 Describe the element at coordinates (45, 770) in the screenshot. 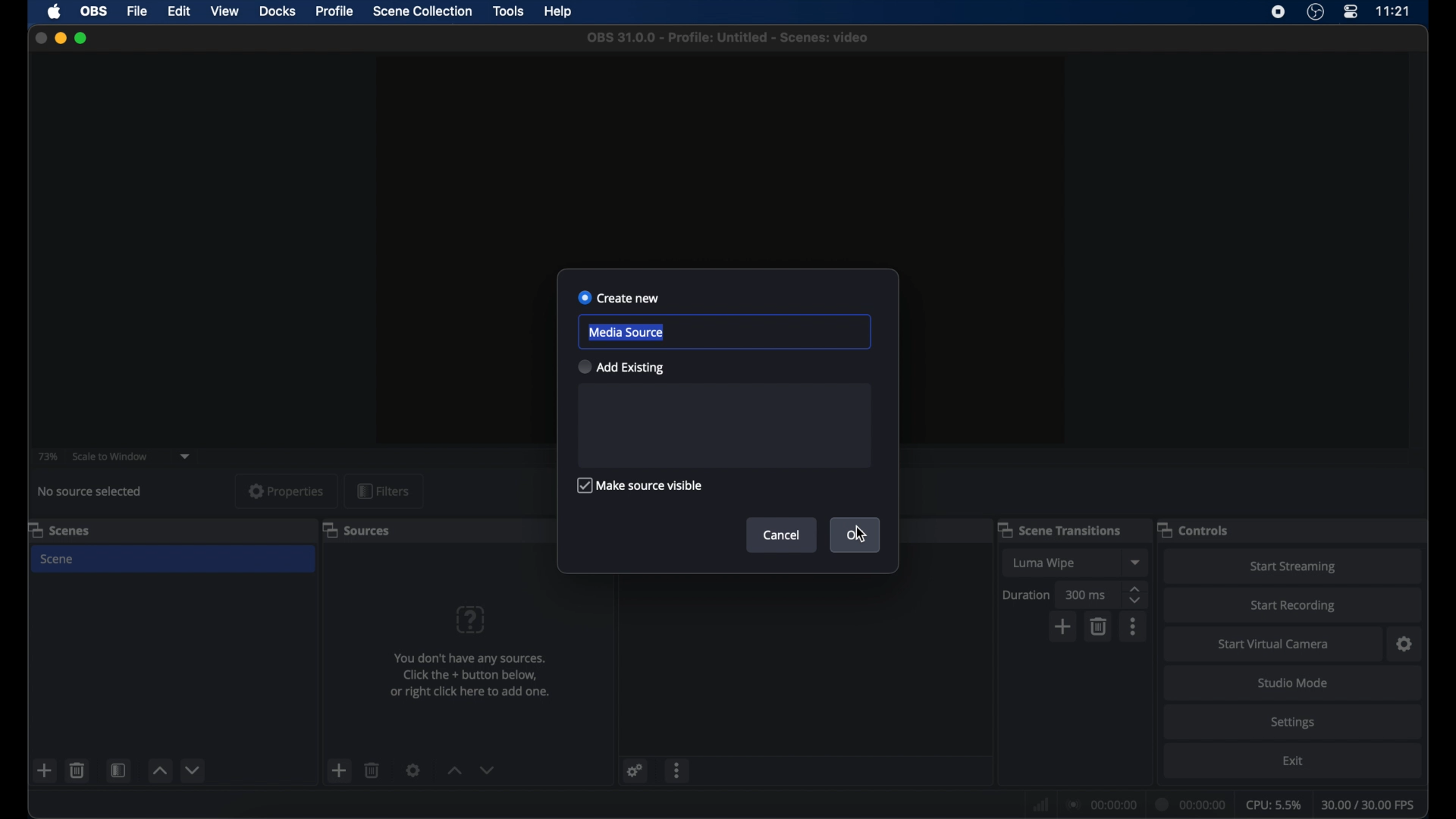

I see `add` at that location.